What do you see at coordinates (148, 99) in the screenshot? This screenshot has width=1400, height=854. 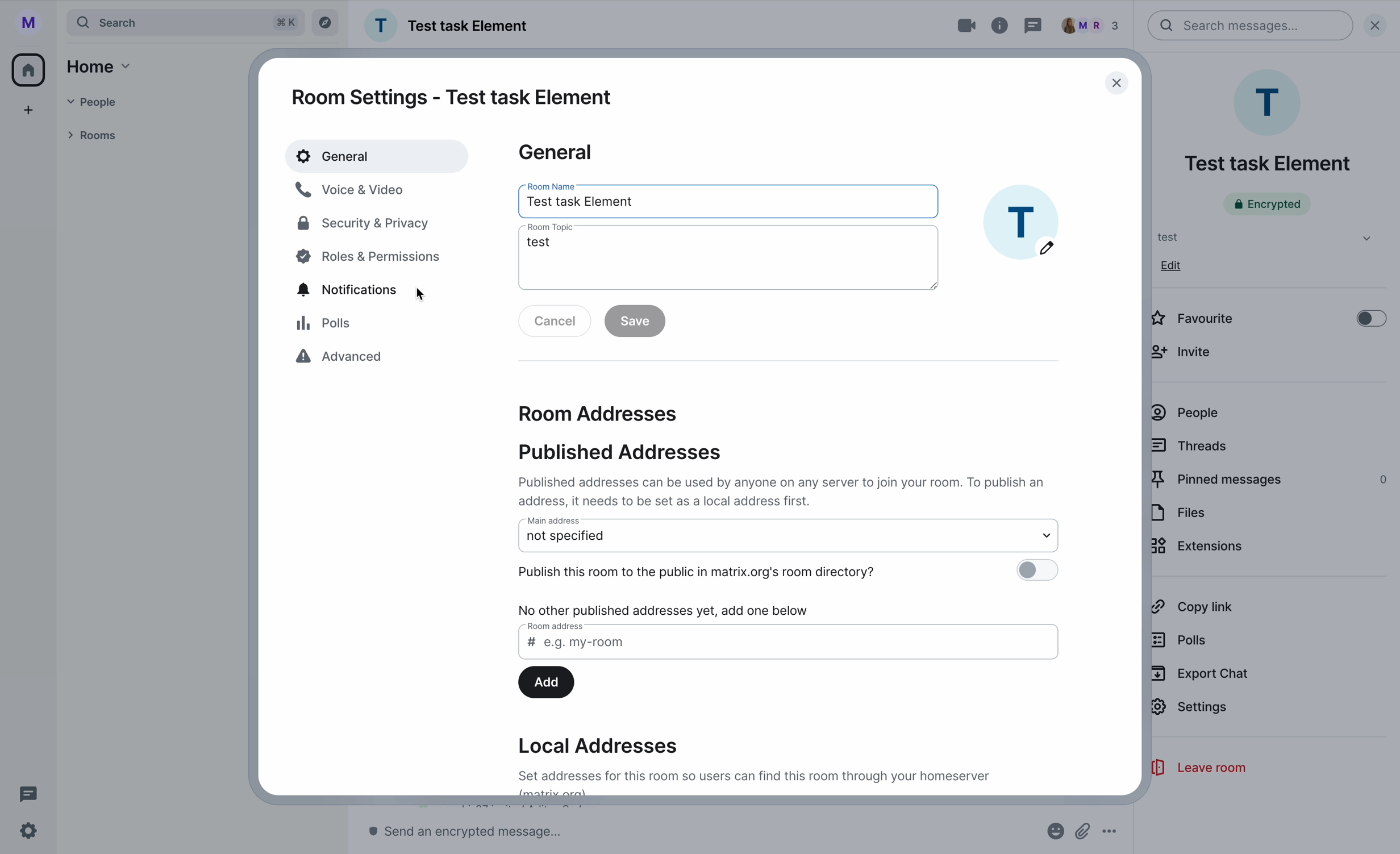 I see `people tab` at bounding box center [148, 99].